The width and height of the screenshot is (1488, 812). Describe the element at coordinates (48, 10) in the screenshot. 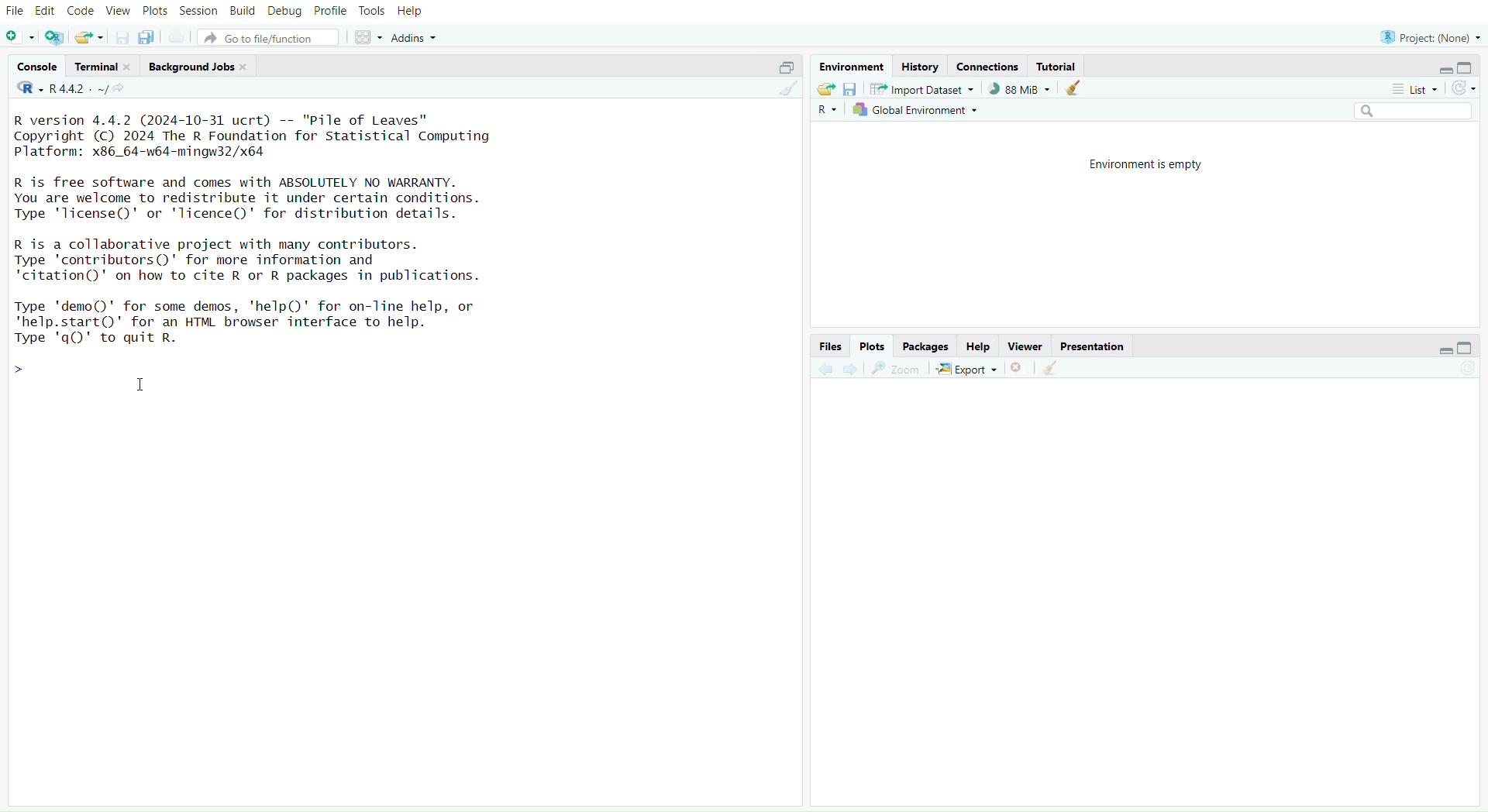

I see `edit` at that location.